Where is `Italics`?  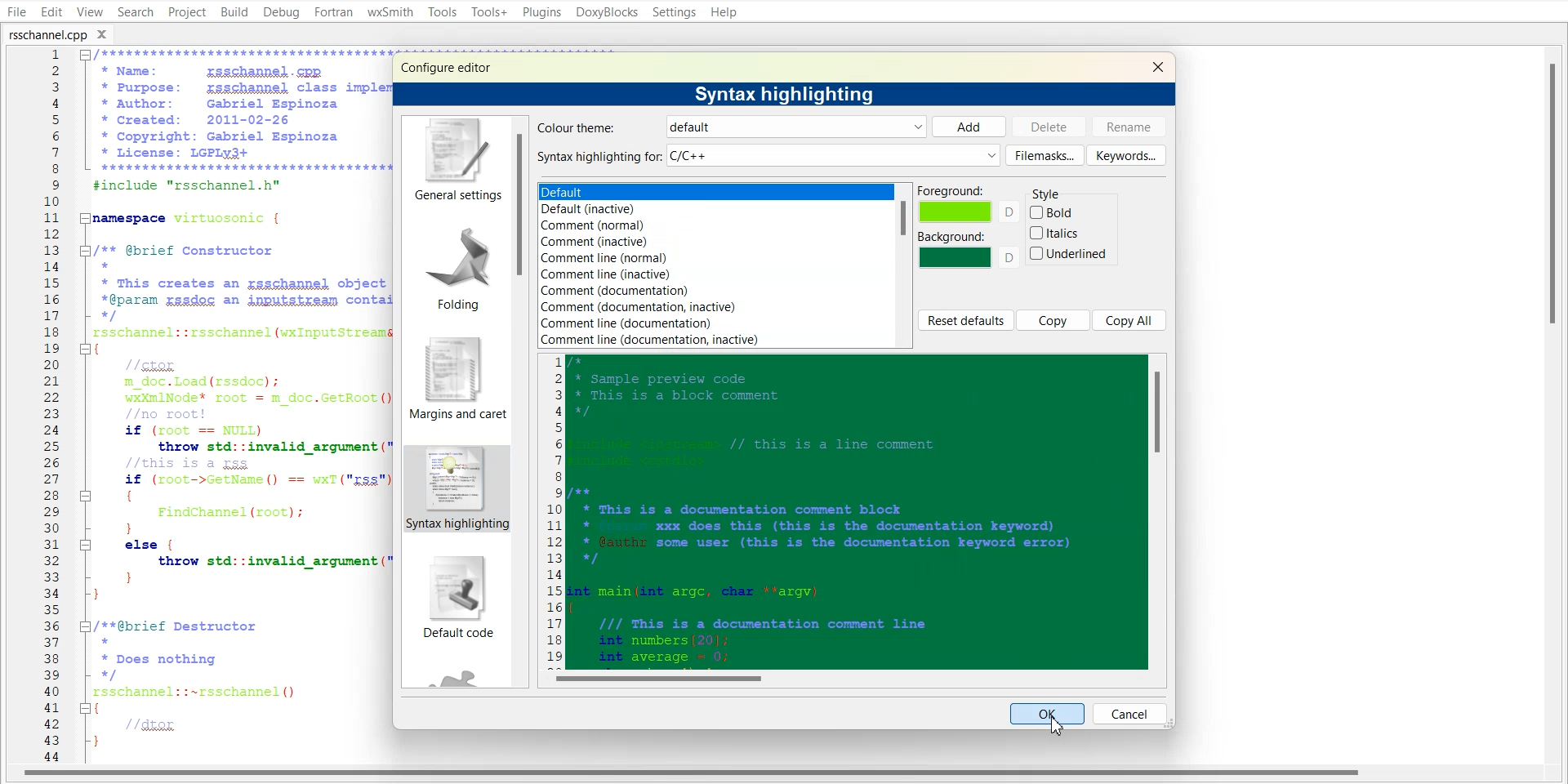
Italics is located at coordinates (1056, 233).